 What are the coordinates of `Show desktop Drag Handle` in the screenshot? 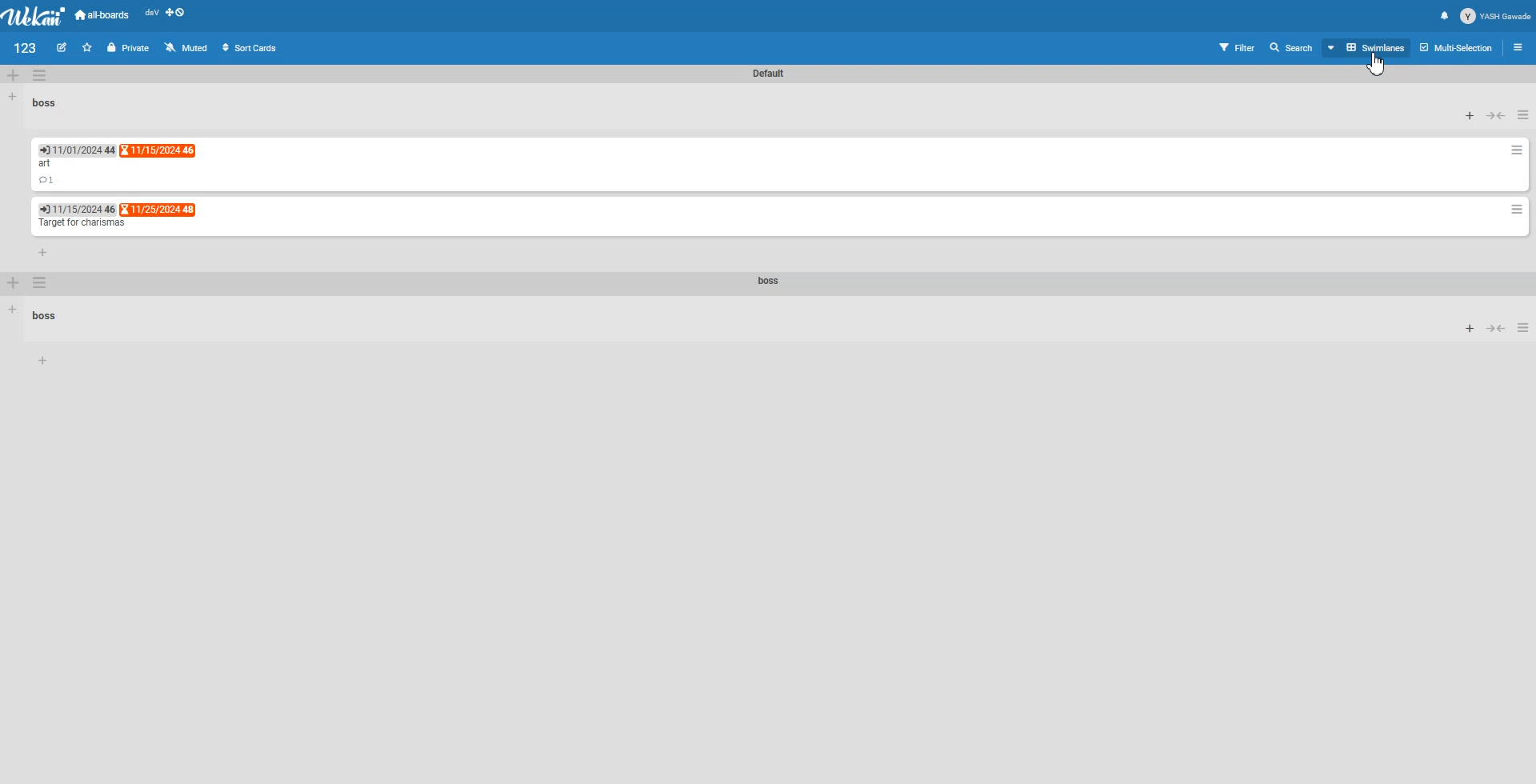 It's located at (177, 13).